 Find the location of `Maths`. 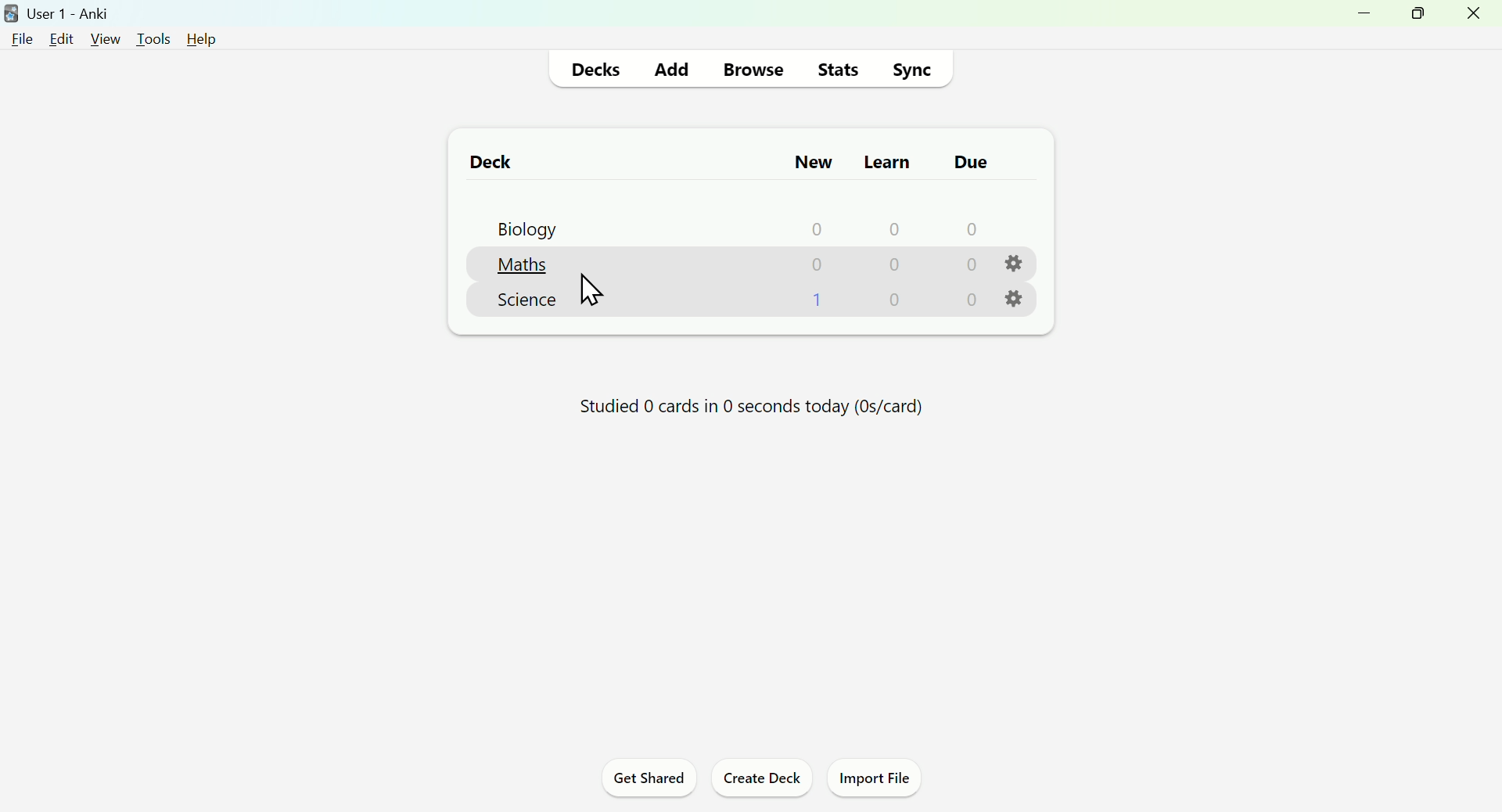

Maths is located at coordinates (521, 267).